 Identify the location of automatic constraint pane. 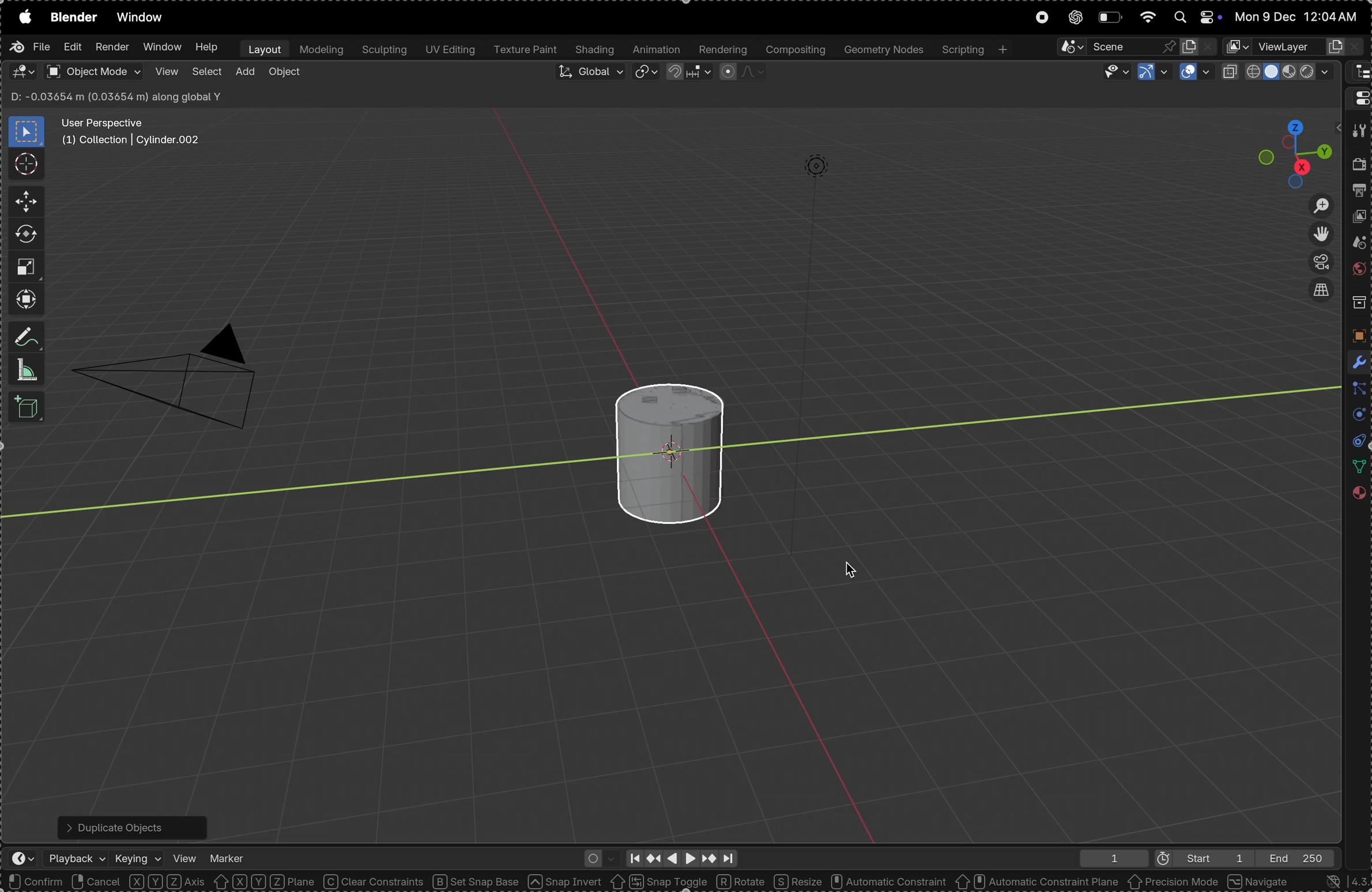
(1036, 882).